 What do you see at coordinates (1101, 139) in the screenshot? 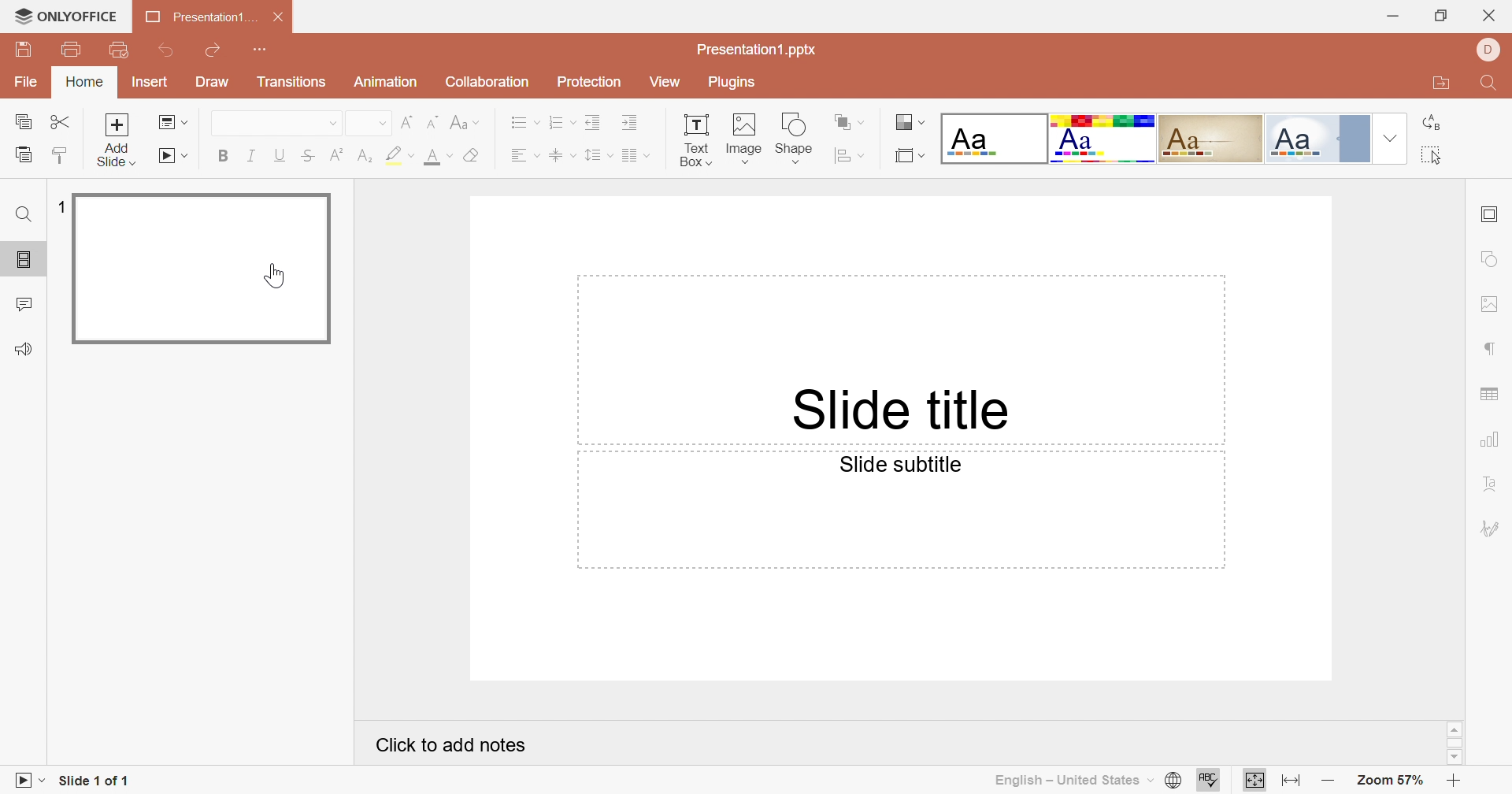
I see `Basic` at bounding box center [1101, 139].